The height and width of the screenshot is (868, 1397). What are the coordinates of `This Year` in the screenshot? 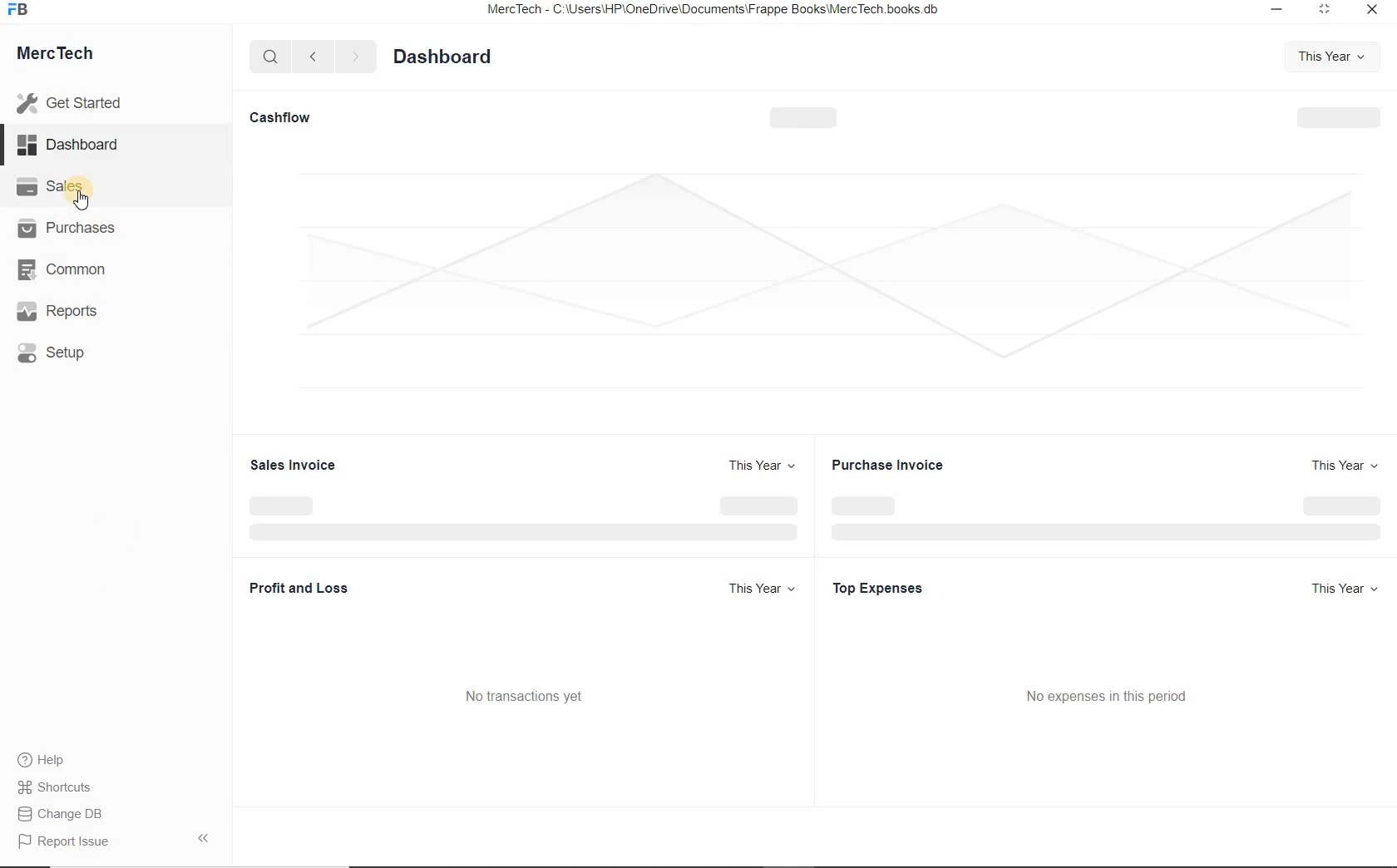 It's located at (763, 589).